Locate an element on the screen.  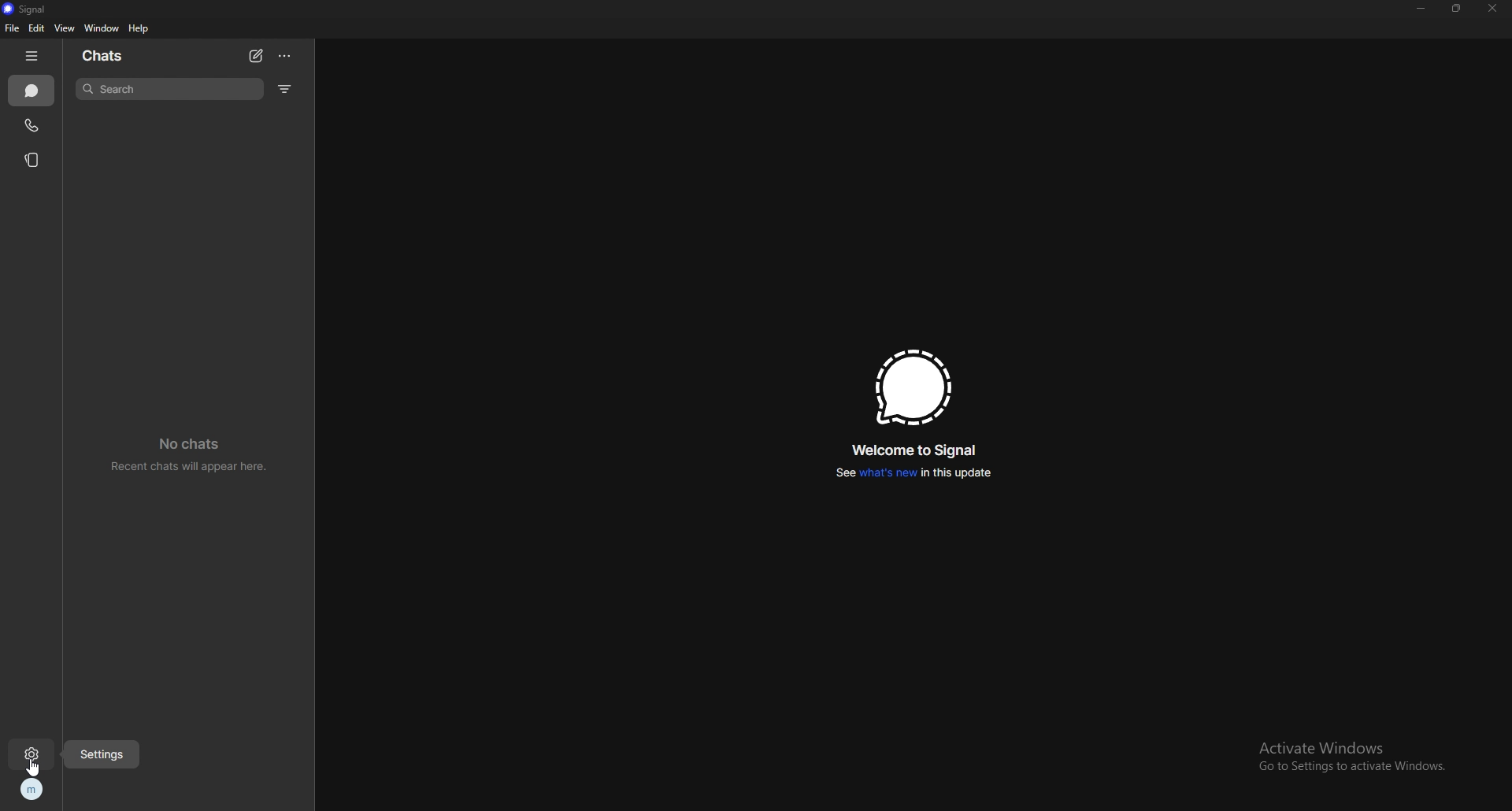
calls is located at coordinates (32, 124).